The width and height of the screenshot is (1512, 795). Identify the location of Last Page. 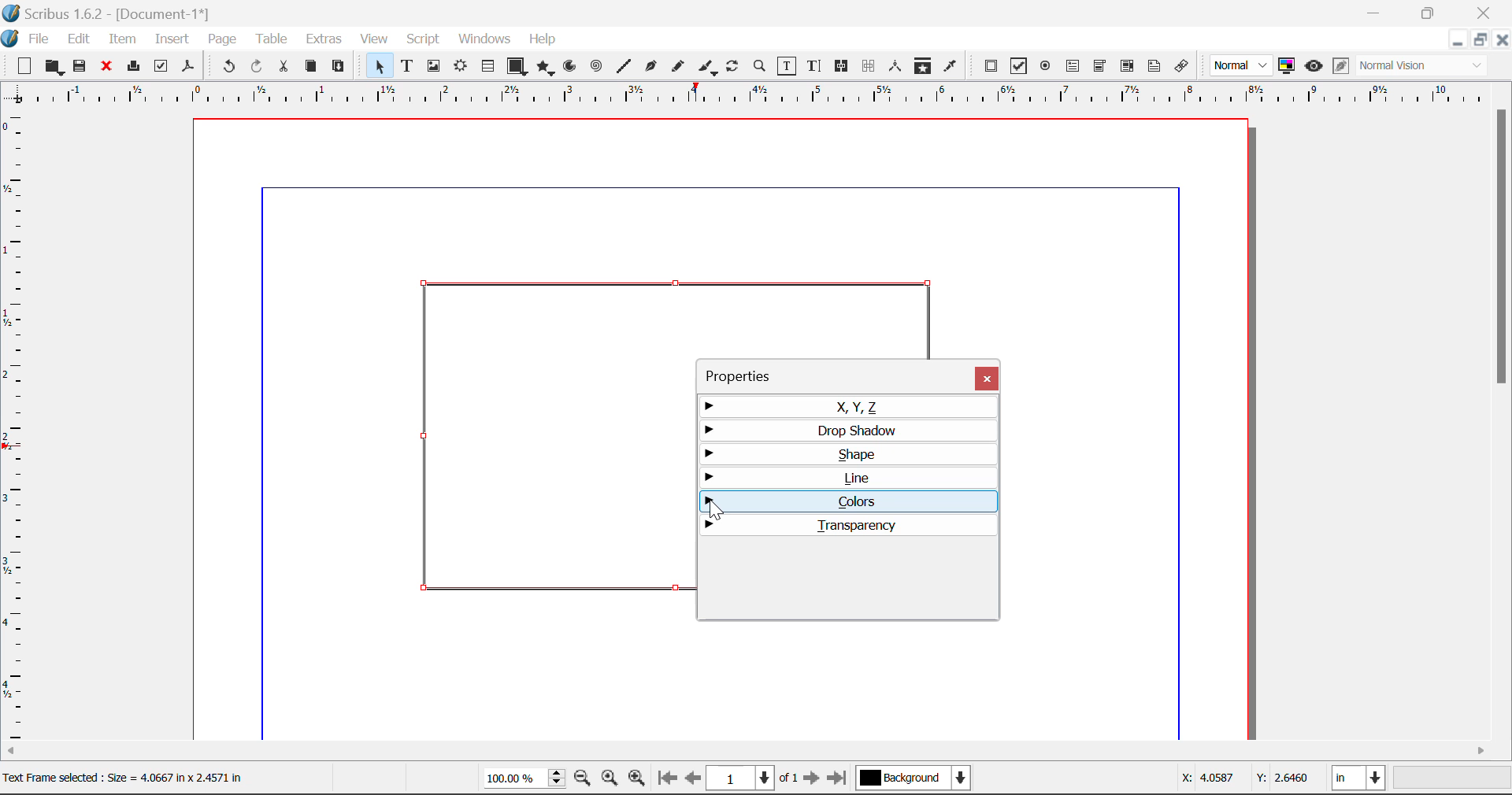
(839, 780).